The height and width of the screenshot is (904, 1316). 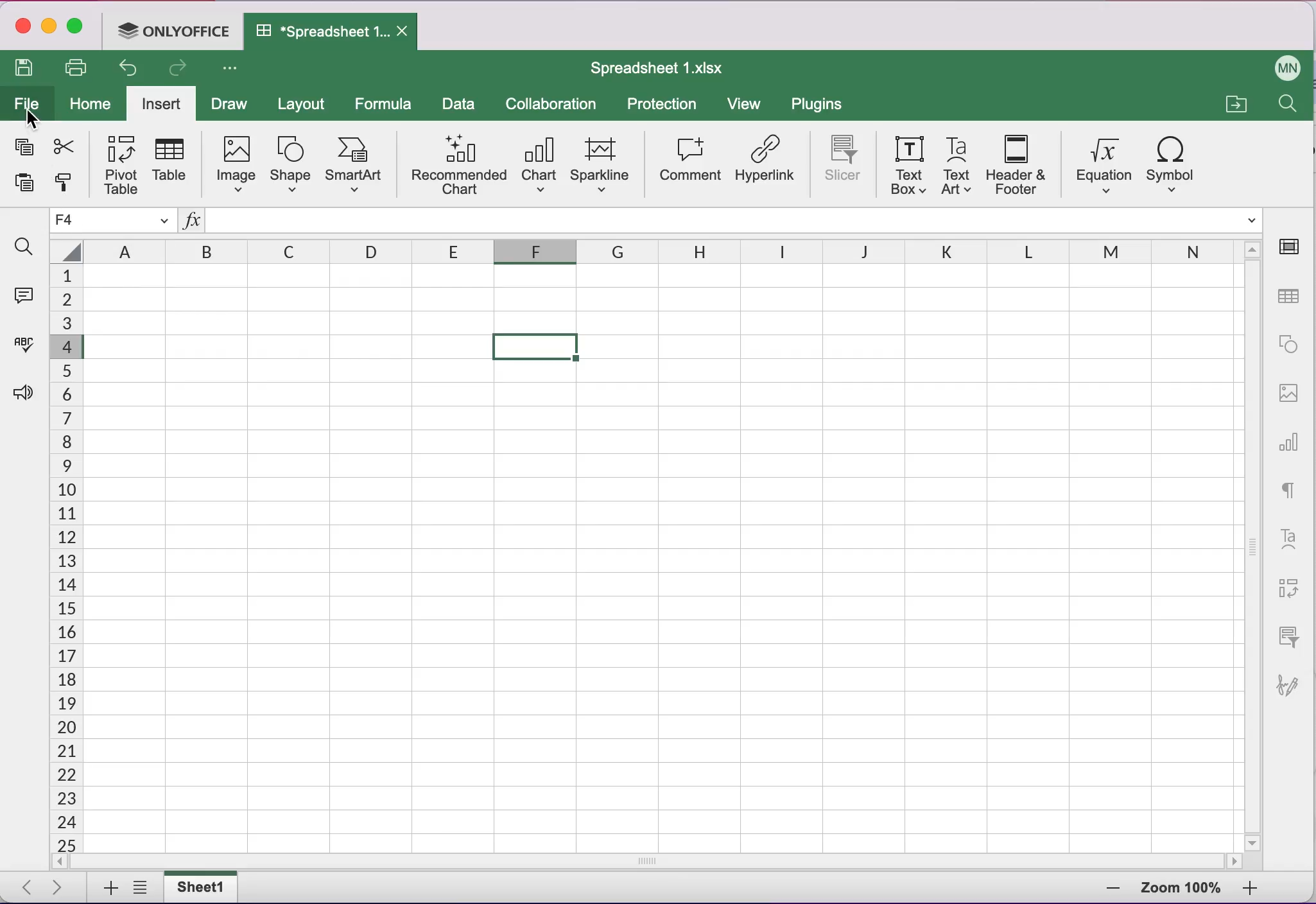 I want to click on home, so click(x=85, y=102).